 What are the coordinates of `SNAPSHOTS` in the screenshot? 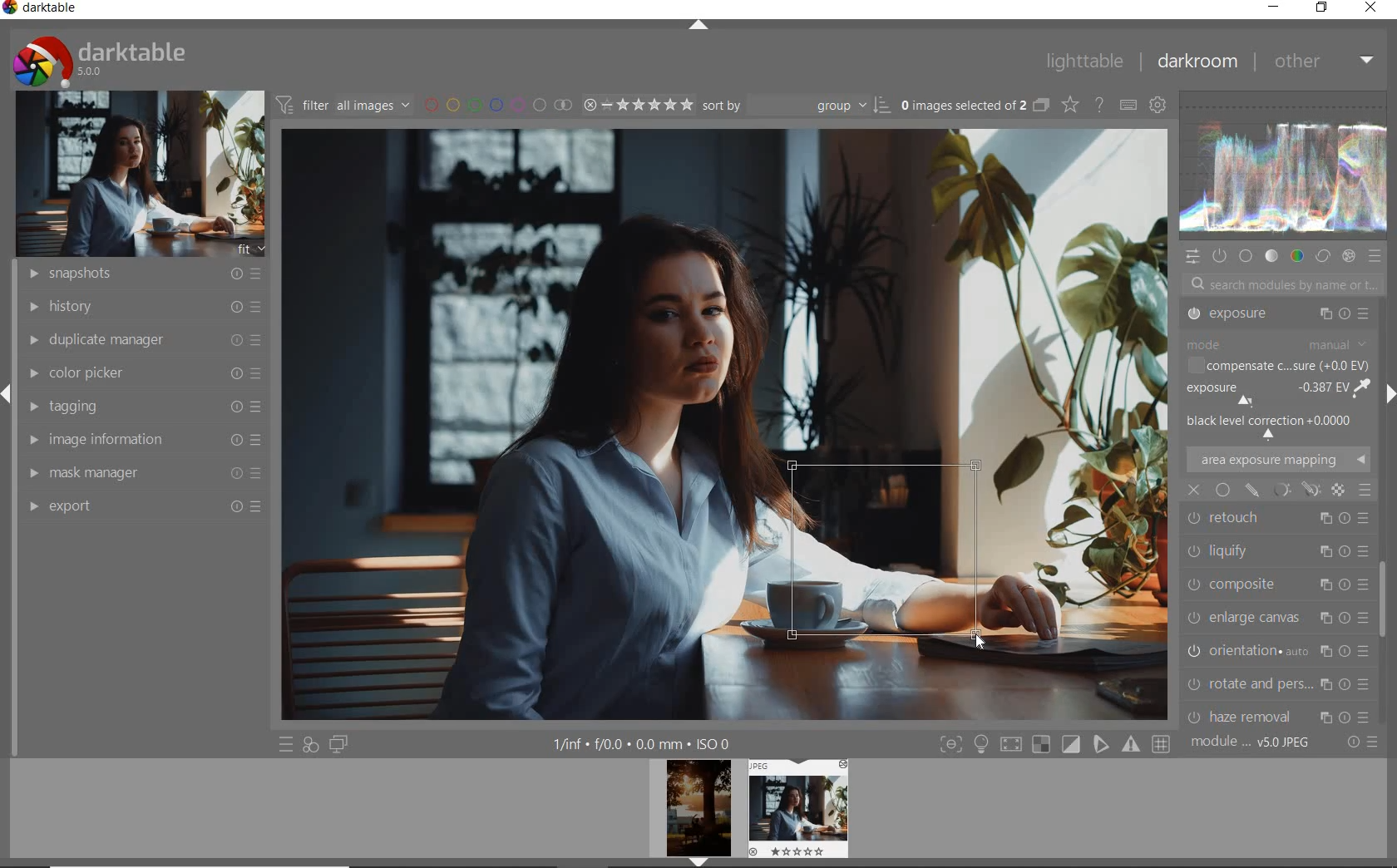 It's located at (146, 273).